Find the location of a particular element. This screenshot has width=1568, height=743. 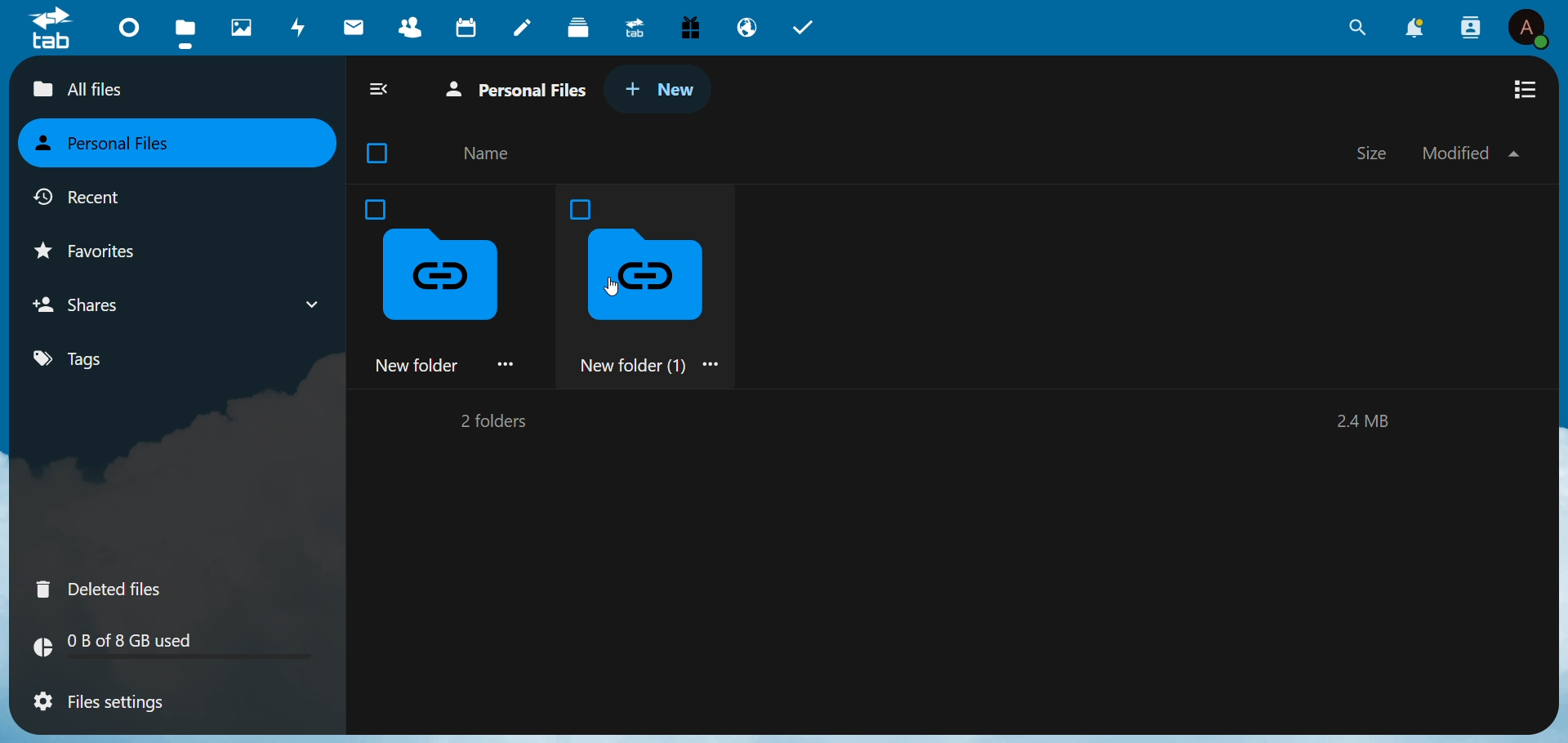

deck is located at coordinates (581, 28).